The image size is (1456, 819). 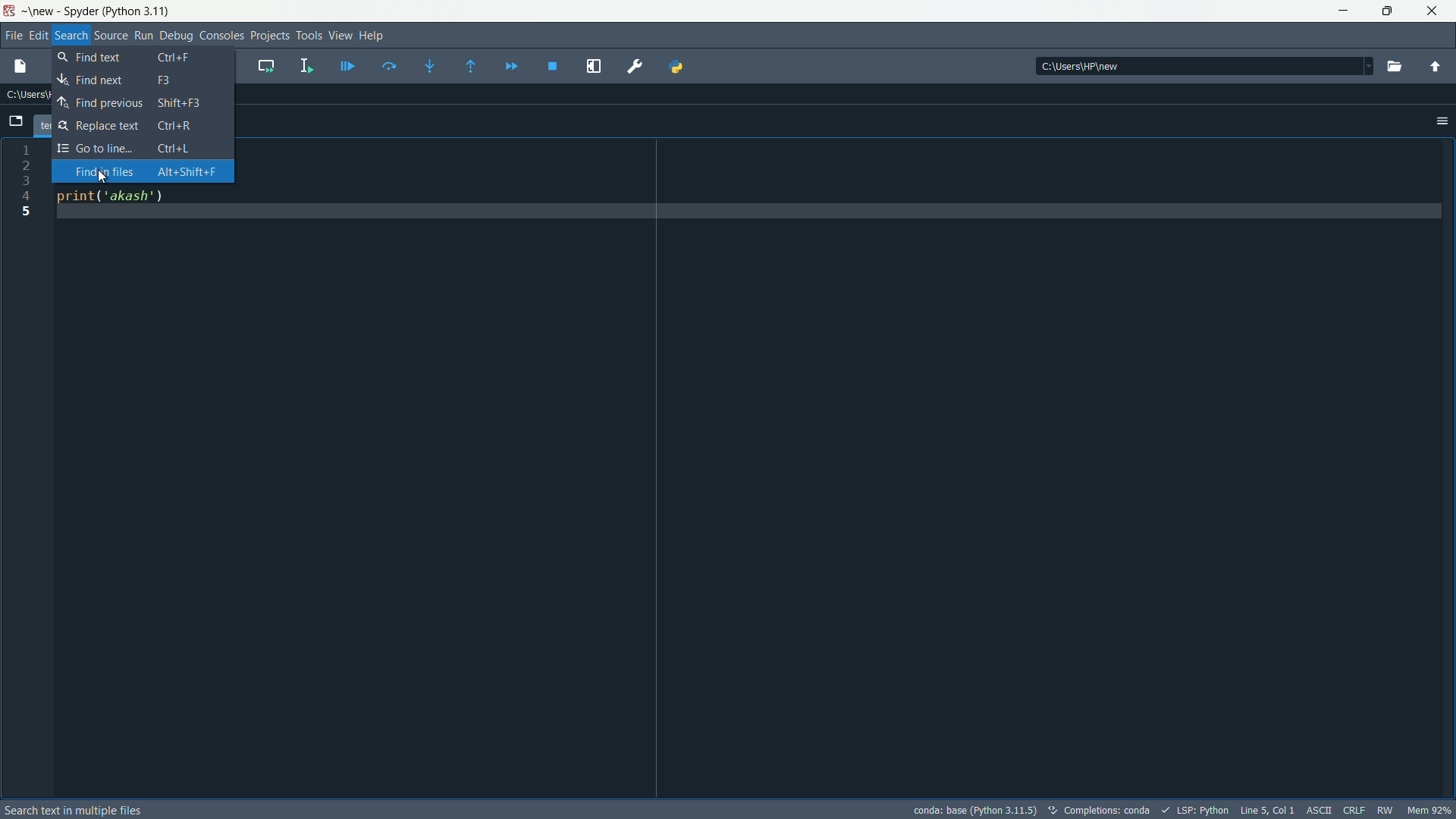 I want to click on interpreter, so click(x=976, y=809).